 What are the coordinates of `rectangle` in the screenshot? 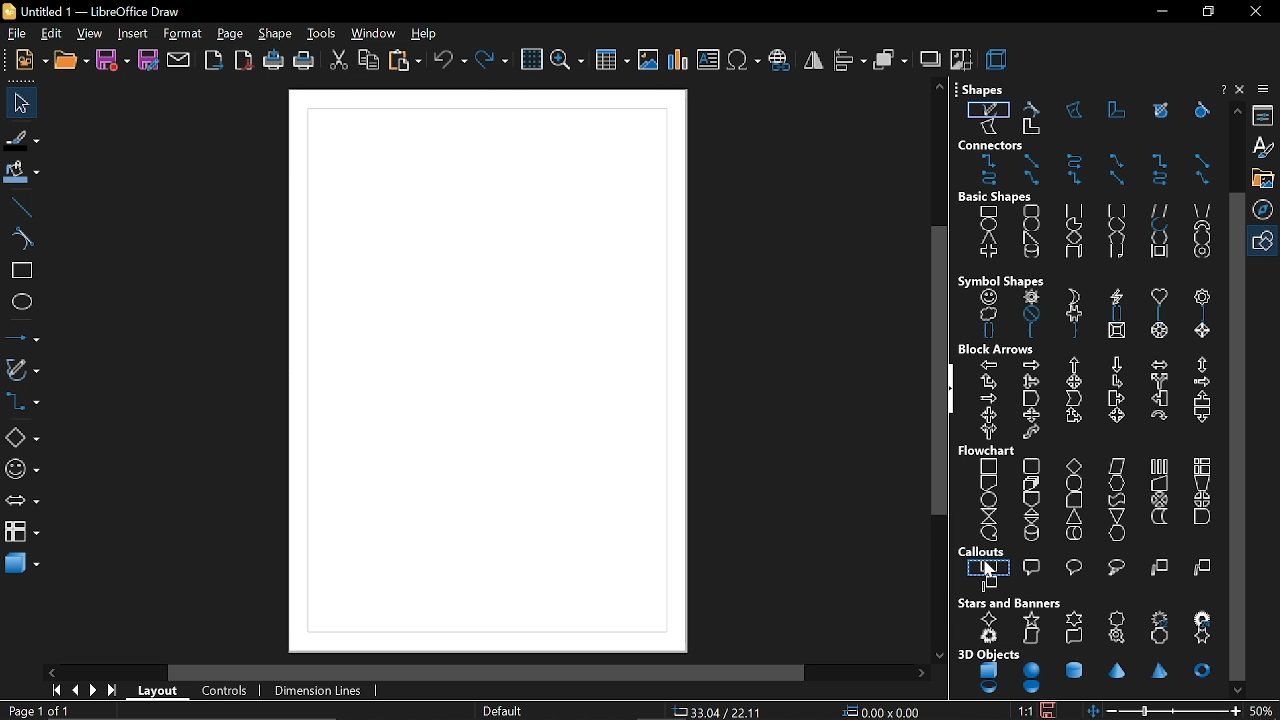 It's located at (989, 212).